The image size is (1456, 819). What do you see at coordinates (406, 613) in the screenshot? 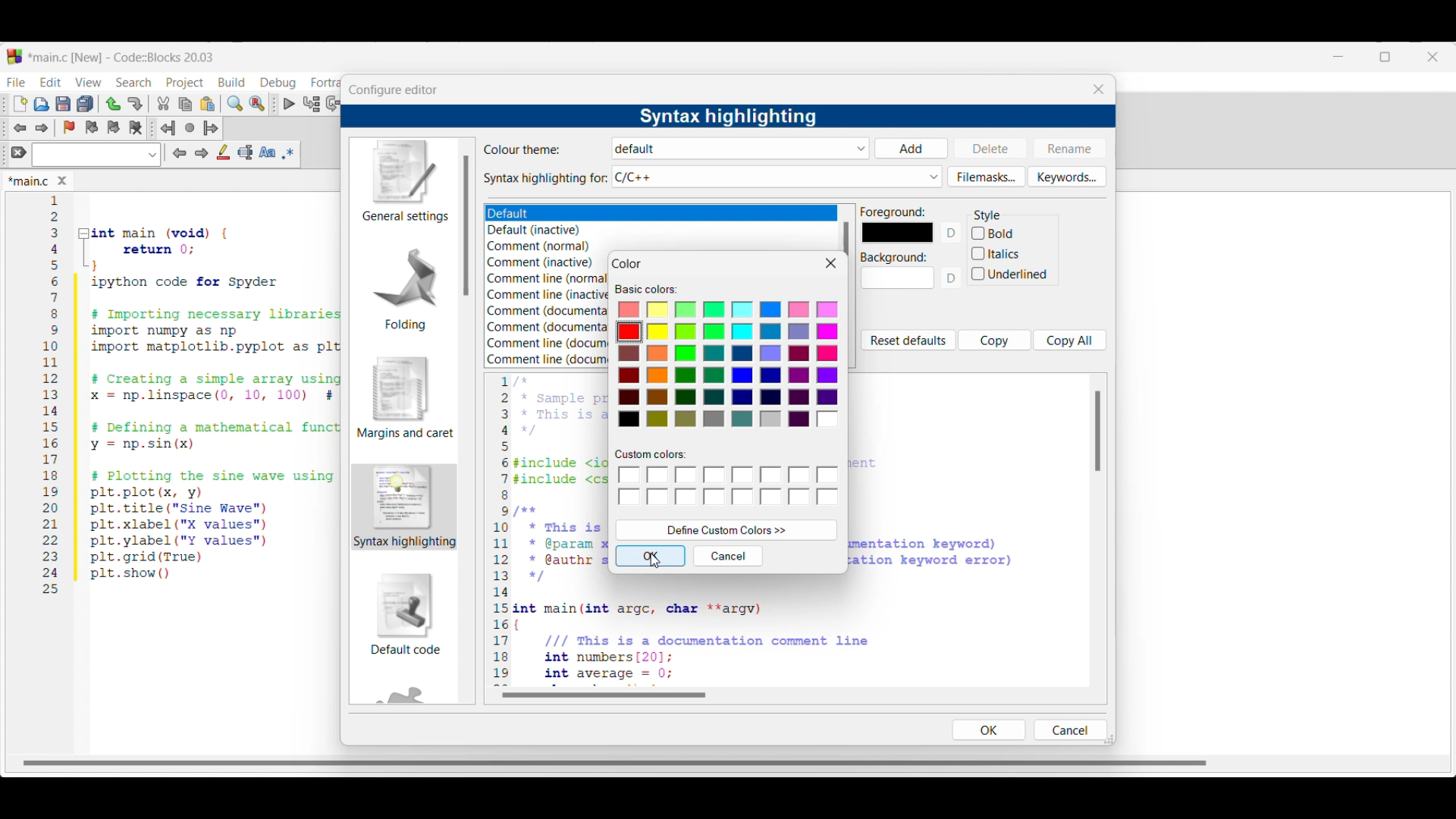
I see `Default code` at bounding box center [406, 613].